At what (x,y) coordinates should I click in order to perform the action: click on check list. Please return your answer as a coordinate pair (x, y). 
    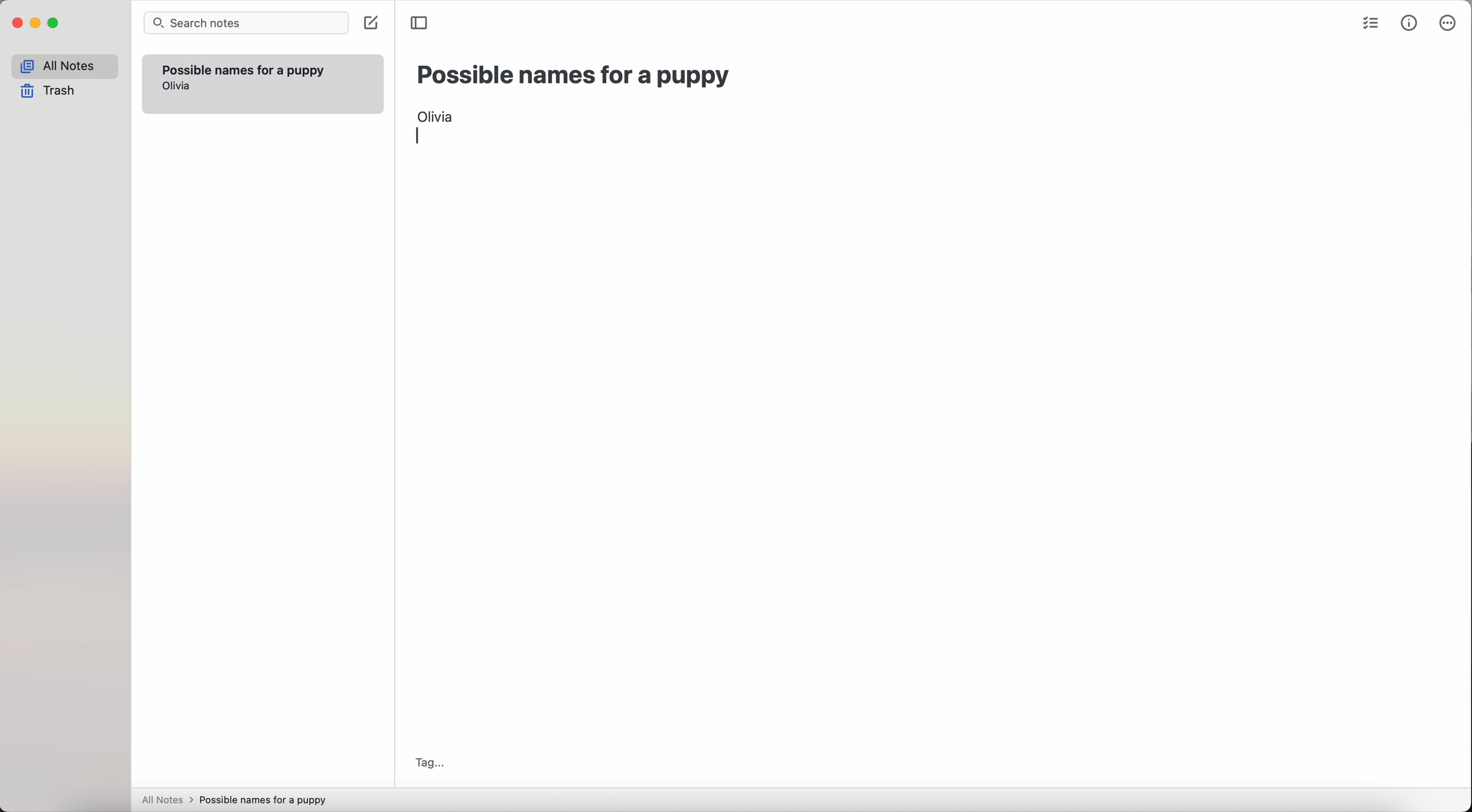
    Looking at the image, I should click on (1370, 25).